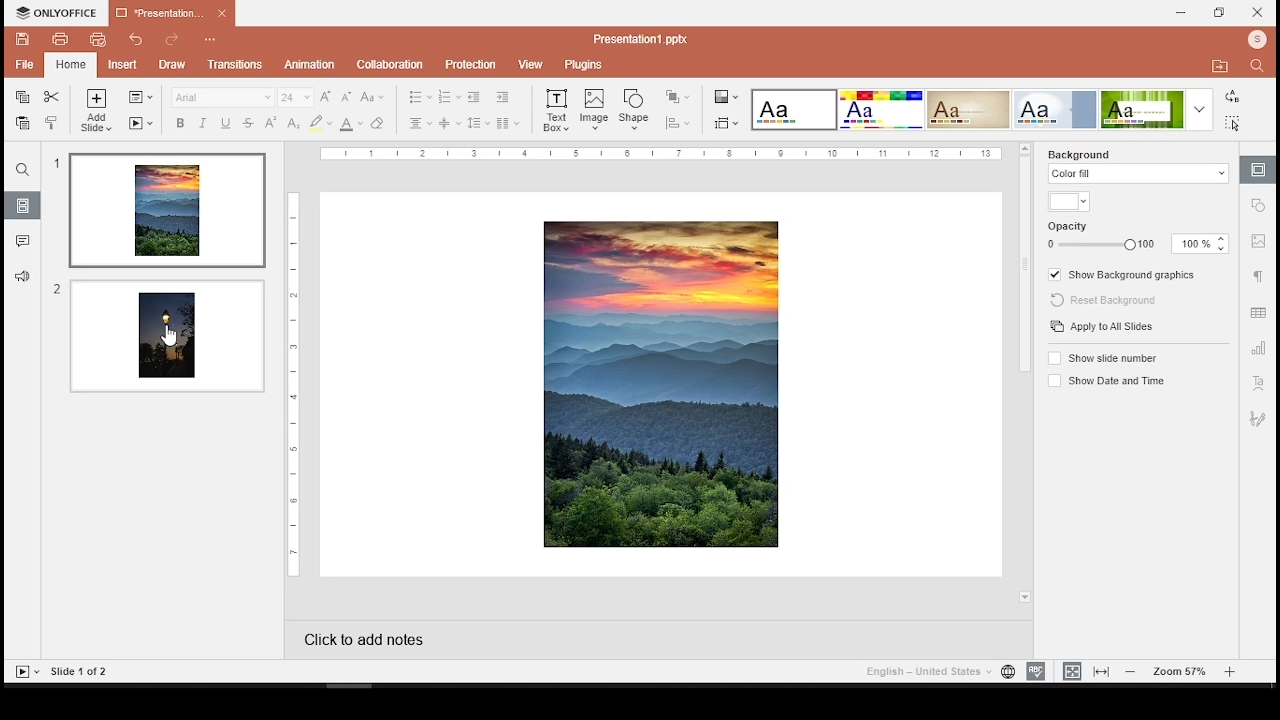  What do you see at coordinates (1035, 671) in the screenshot?
I see `spelling check` at bounding box center [1035, 671].